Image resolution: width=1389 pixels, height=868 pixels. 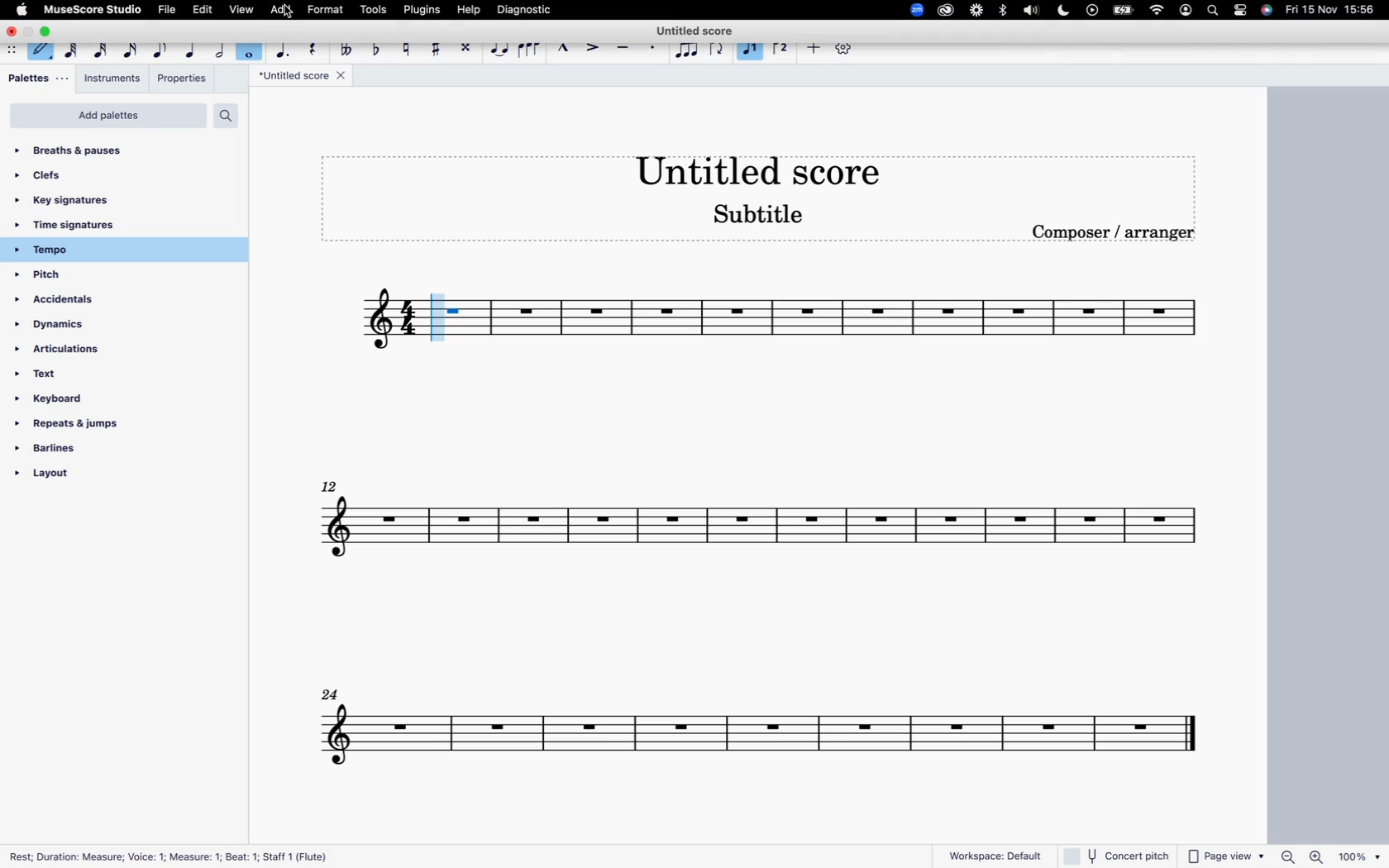 What do you see at coordinates (93, 477) in the screenshot?
I see `layout` at bounding box center [93, 477].